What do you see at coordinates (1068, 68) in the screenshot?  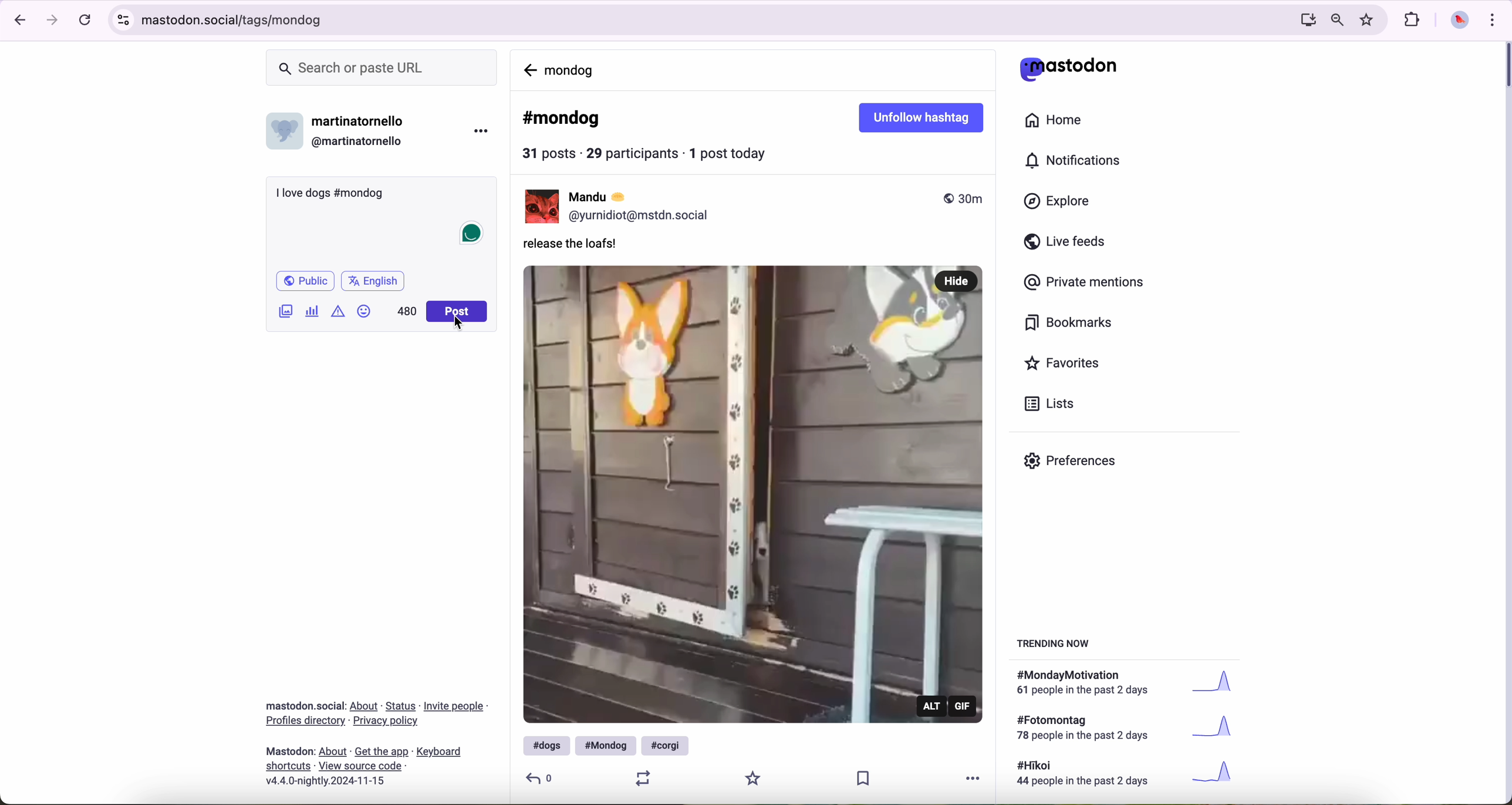 I see `mastodon logo` at bounding box center [1068, 68].